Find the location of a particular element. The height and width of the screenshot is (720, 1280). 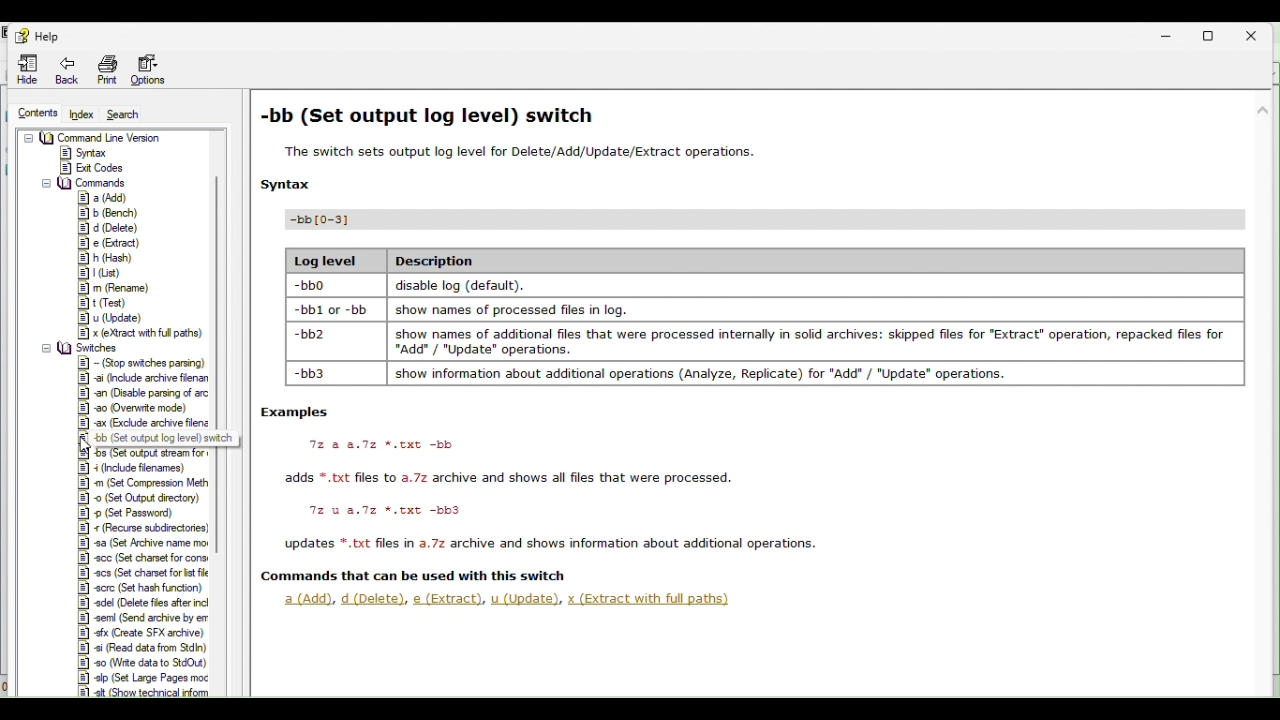

= UY Commands is located at coordinates (85, 181).